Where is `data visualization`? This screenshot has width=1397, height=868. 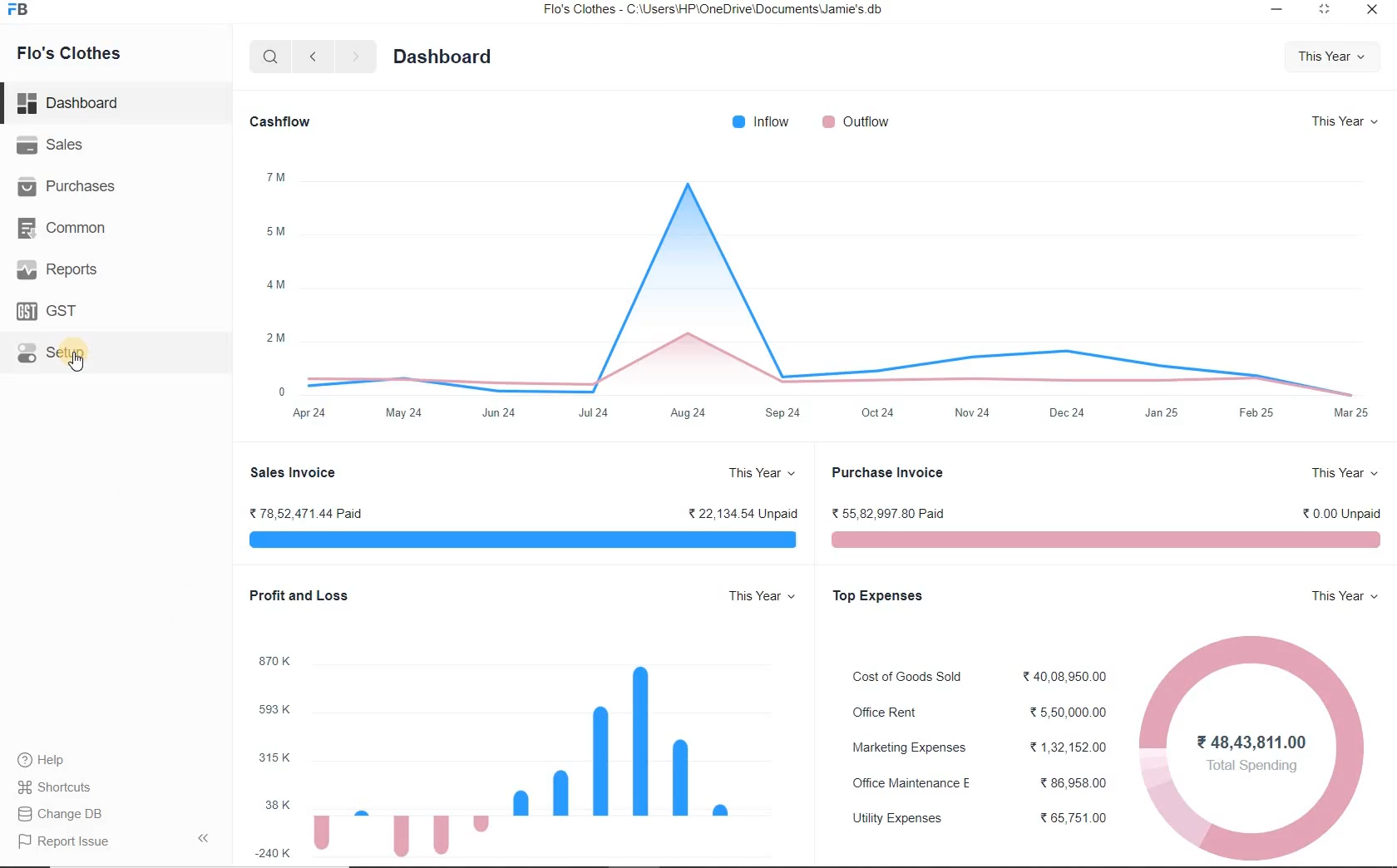 data visualization is located at coordinates (562, 757).